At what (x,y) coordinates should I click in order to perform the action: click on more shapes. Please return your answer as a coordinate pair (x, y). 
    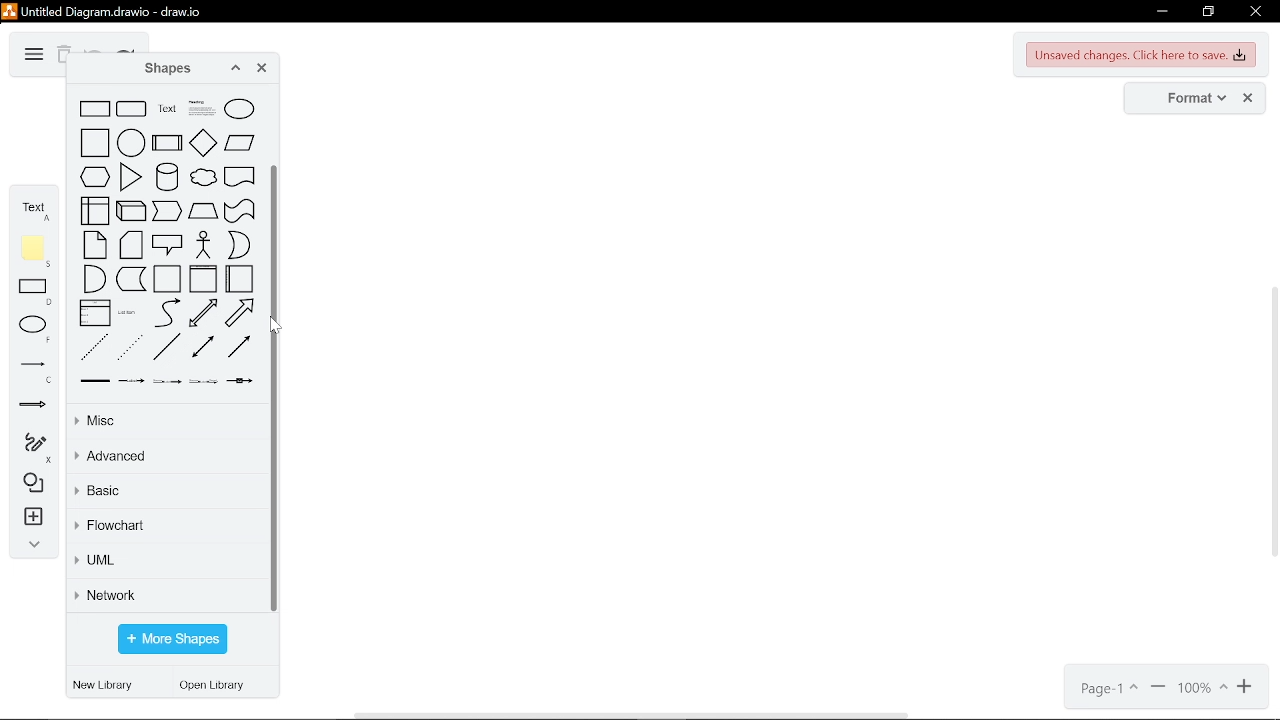
    Looking at the image, I should click on (172, 640).